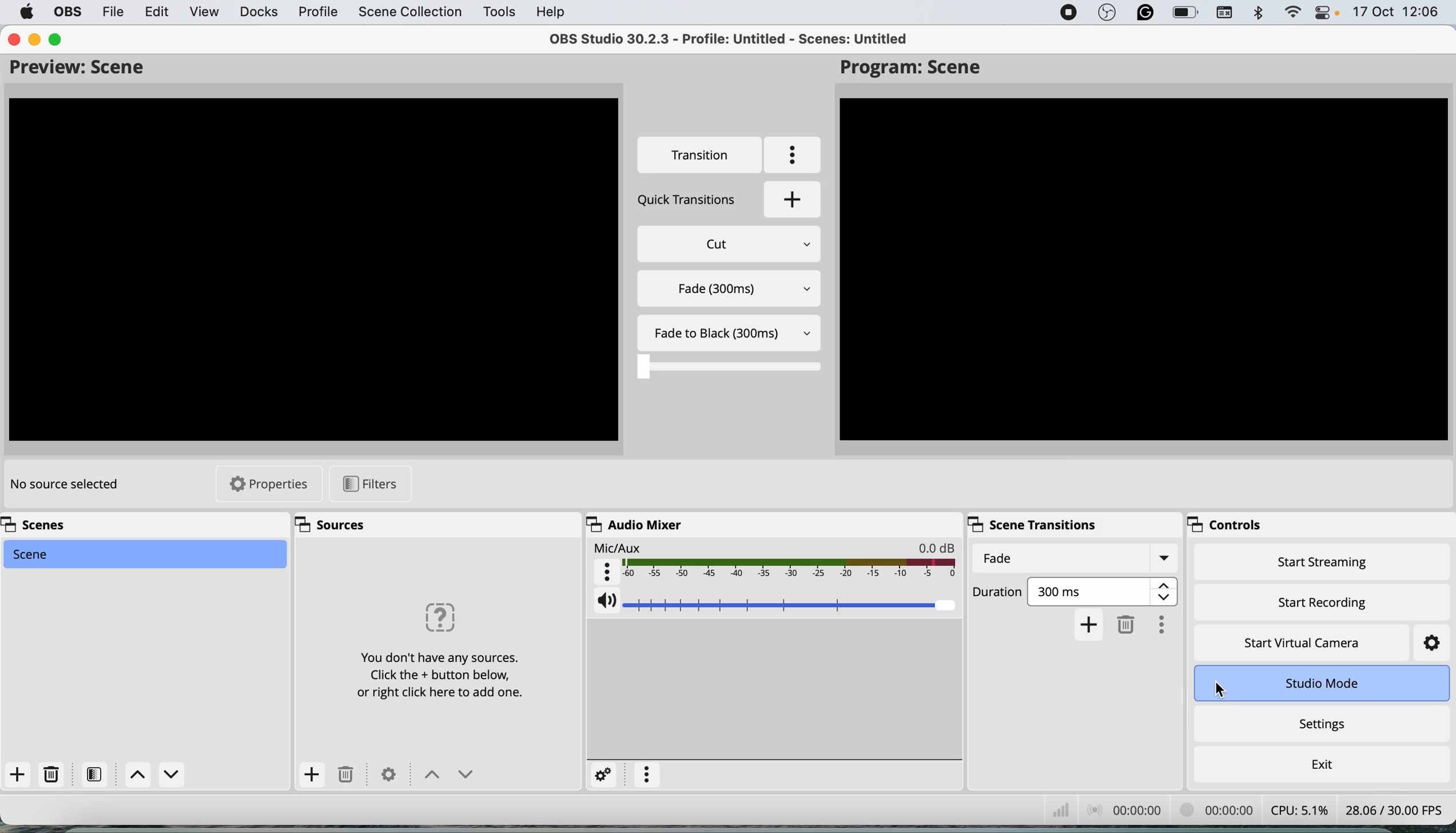  Describe the element at coordinates (729, 243) in the screenshot. I see `cut` at that location.